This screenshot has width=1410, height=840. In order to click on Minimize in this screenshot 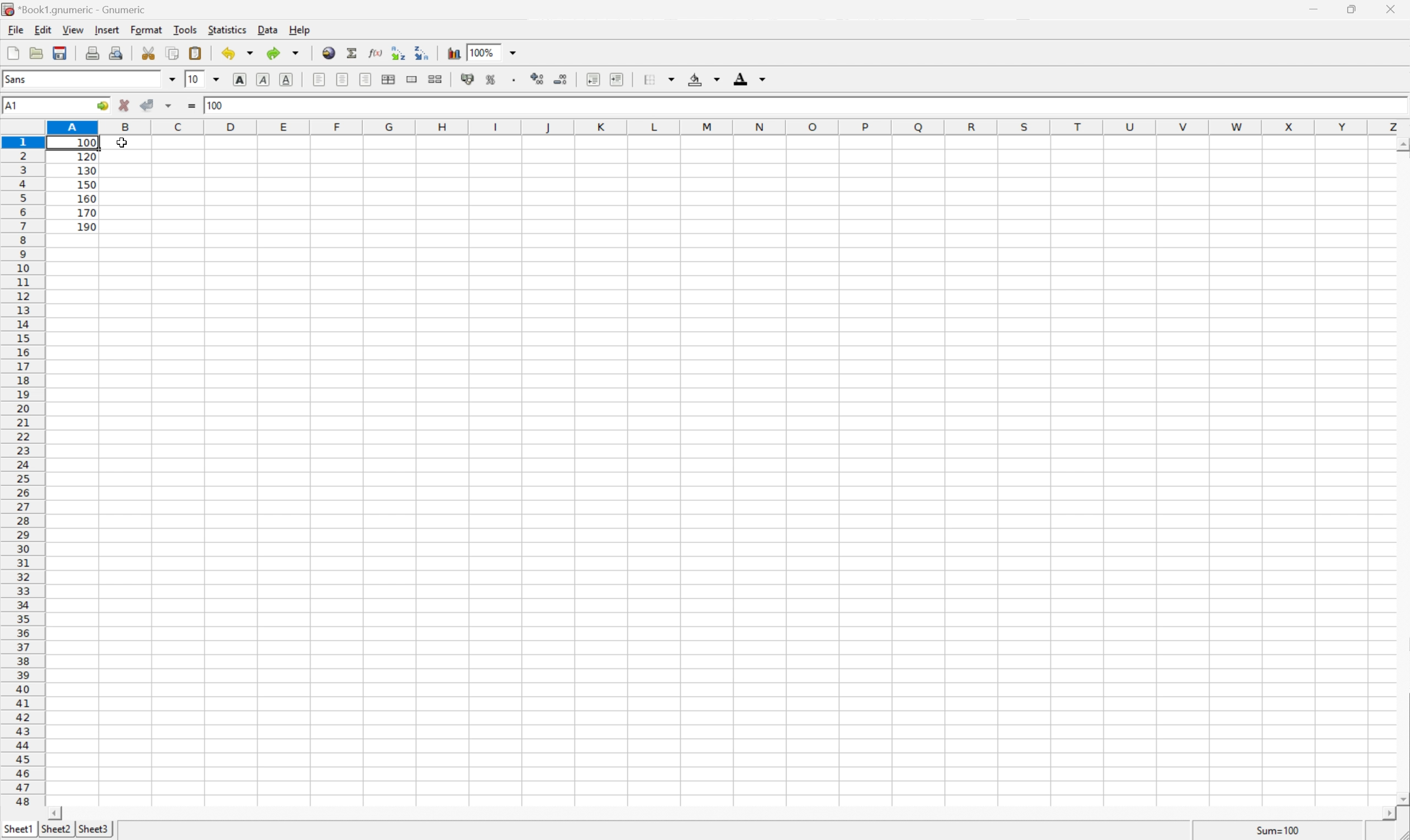, I will do `click(1310, 8)`.